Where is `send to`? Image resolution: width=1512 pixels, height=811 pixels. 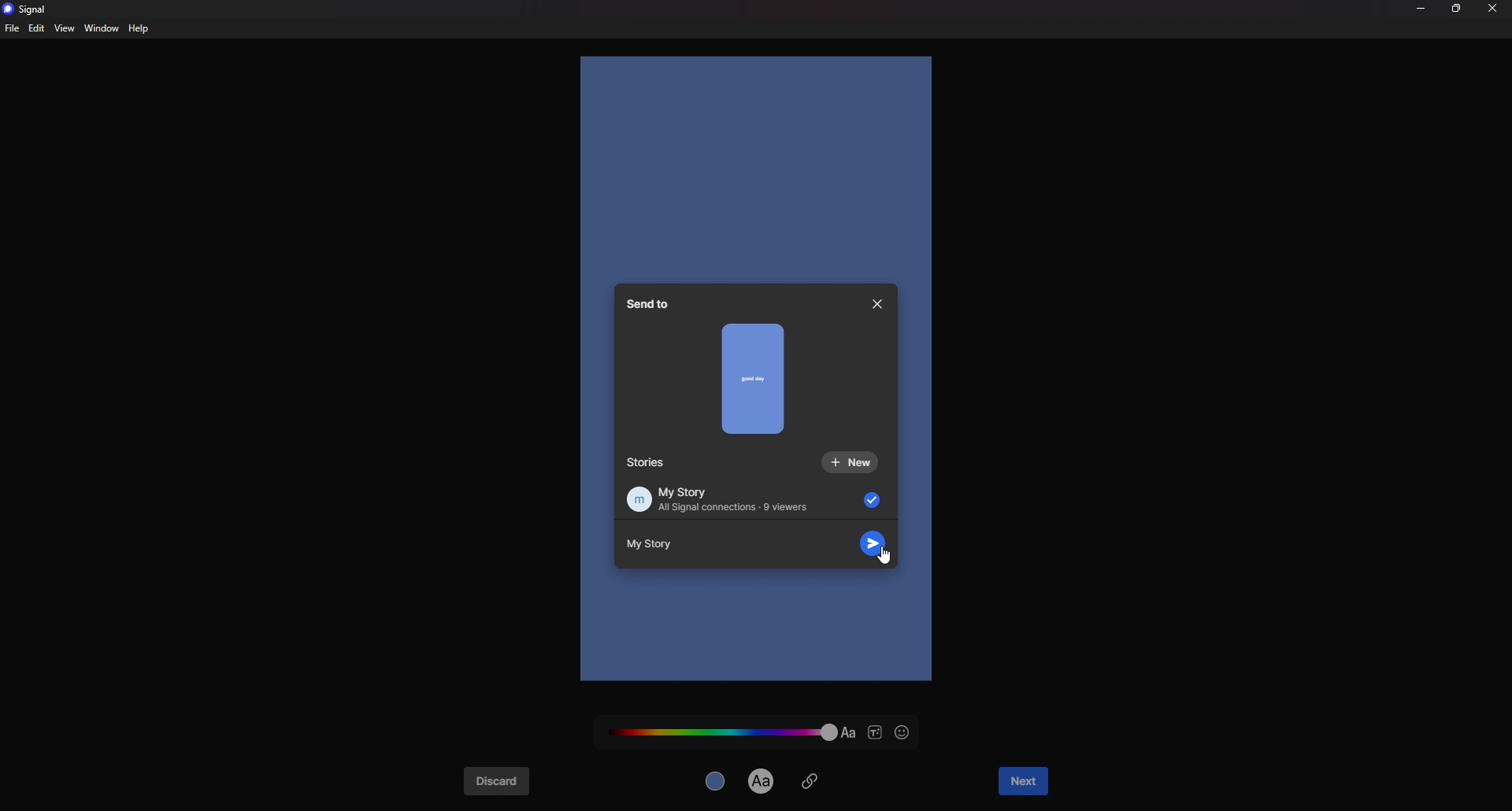
send to is located at coordinates (654, 304).